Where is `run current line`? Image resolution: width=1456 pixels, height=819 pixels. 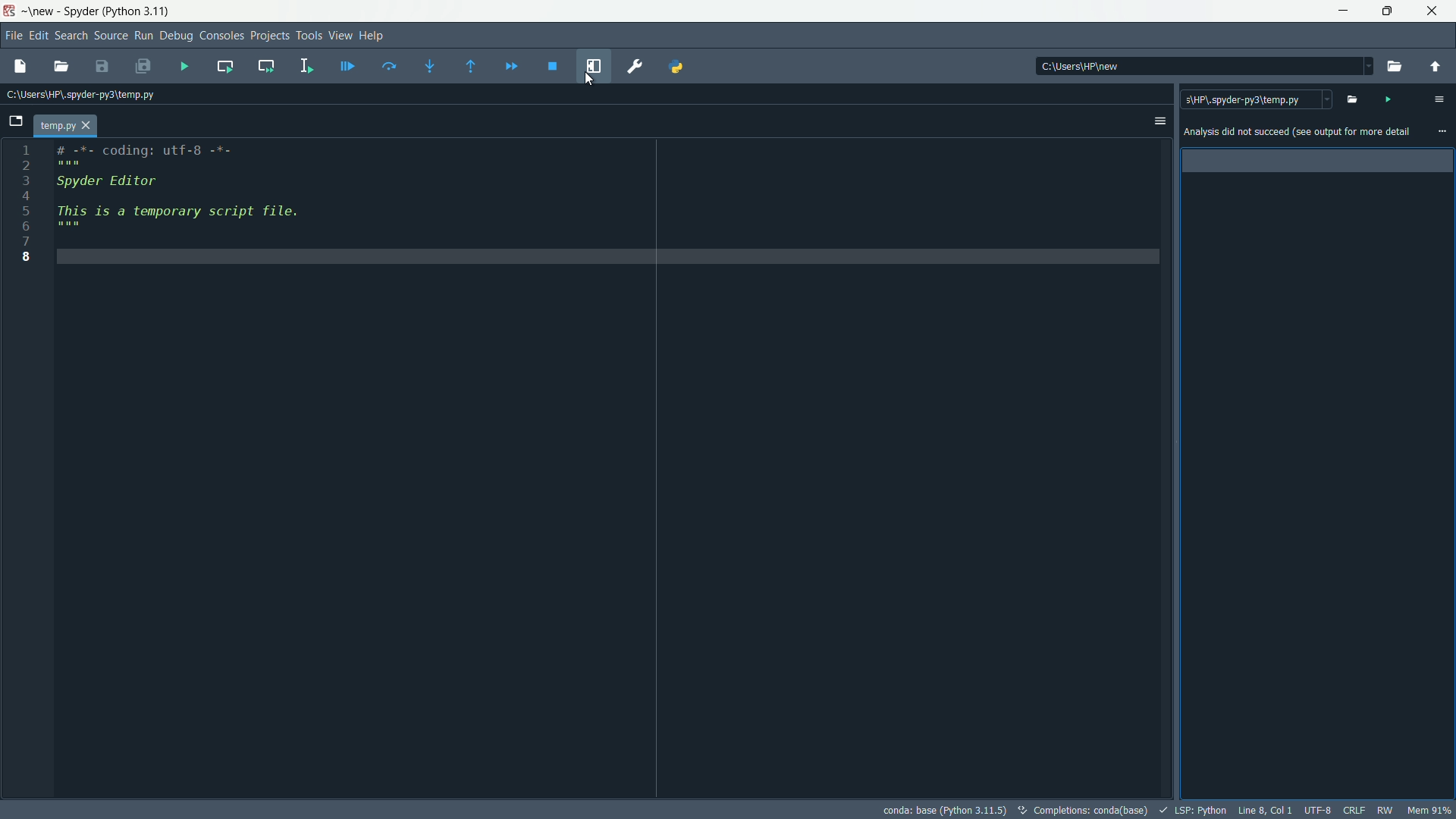
run current line is located at coordinates (392, 65).